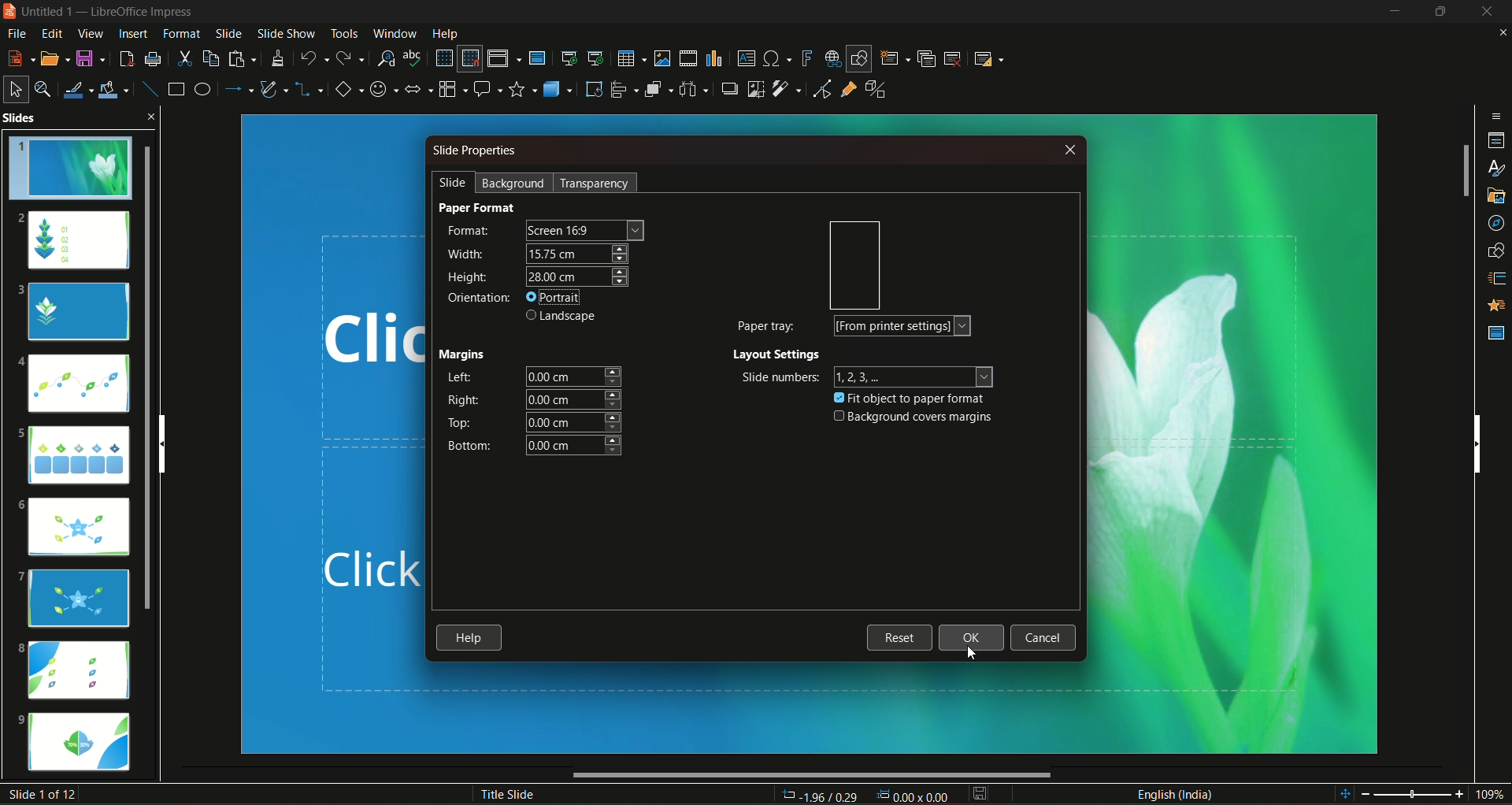 This screenshot has width=1512, height=805. What do you see at coordinates (785, 89) in the screenshot?
I see `filter` at bounding box center [785, 89].